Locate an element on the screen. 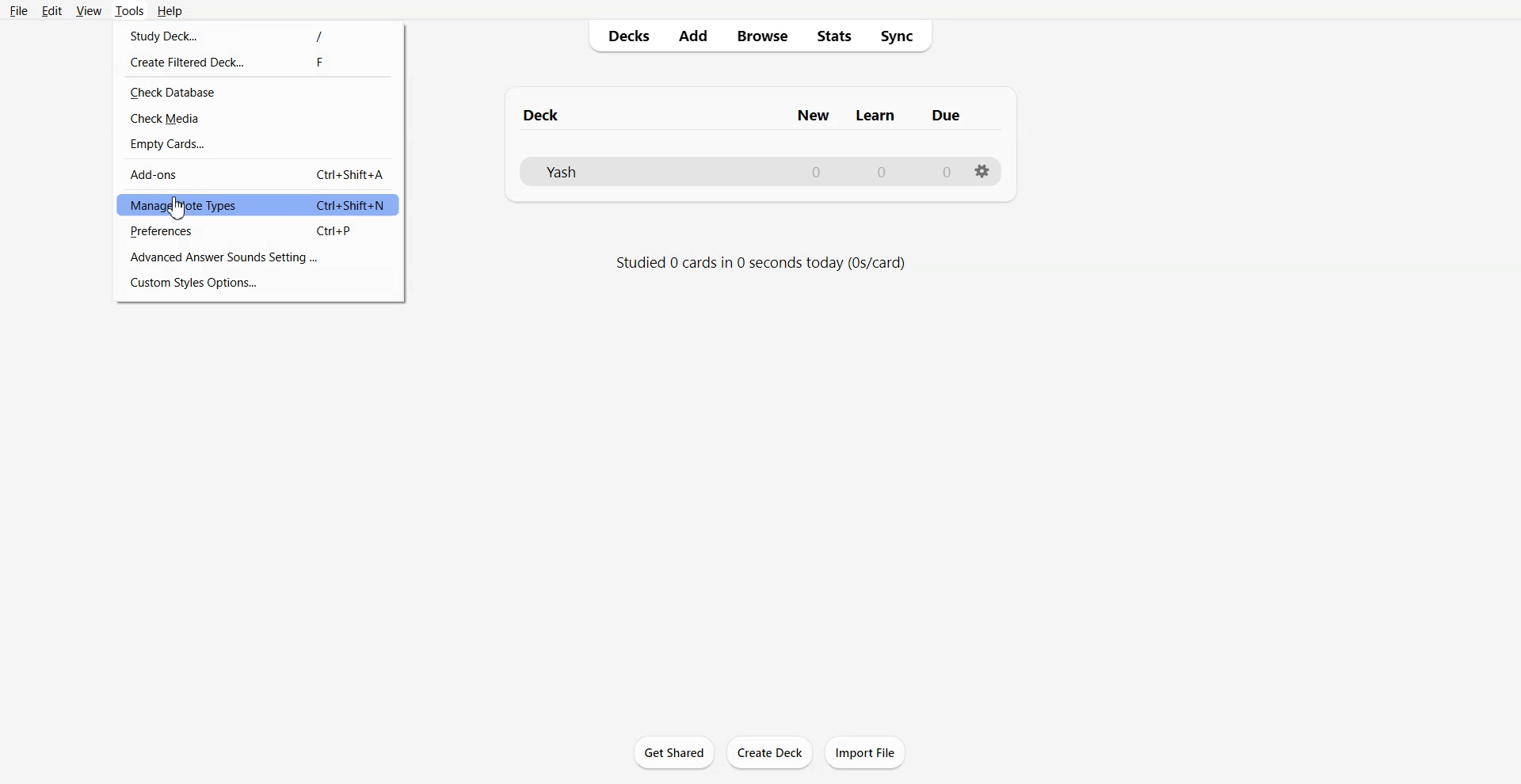 Image resolution: width=1521 pixels, height=784 pixels. Create Filtered Deck is located at coordinates (254, 63).